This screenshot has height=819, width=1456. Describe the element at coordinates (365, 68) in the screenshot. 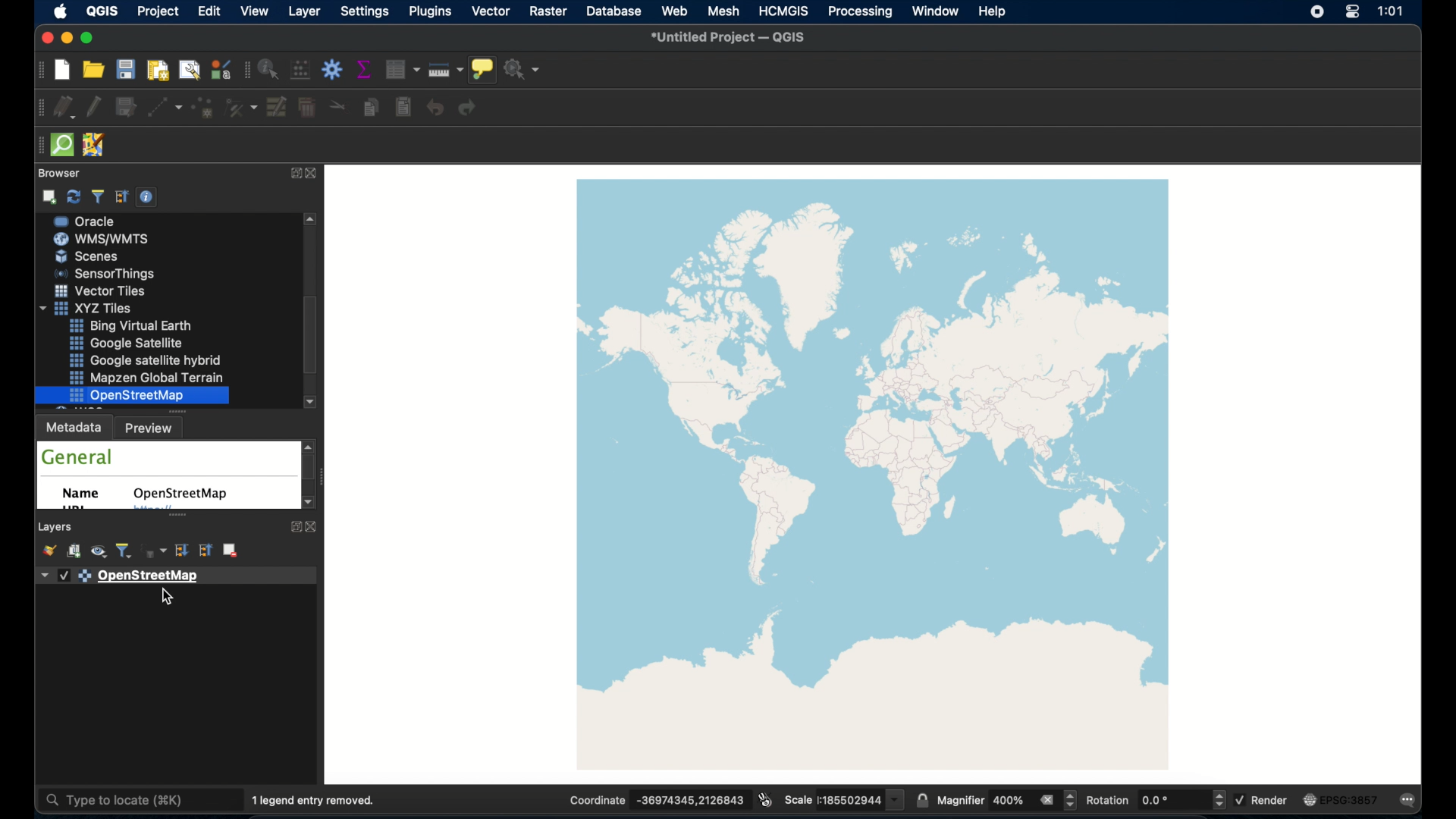

I see `show statistical summary` at that location.